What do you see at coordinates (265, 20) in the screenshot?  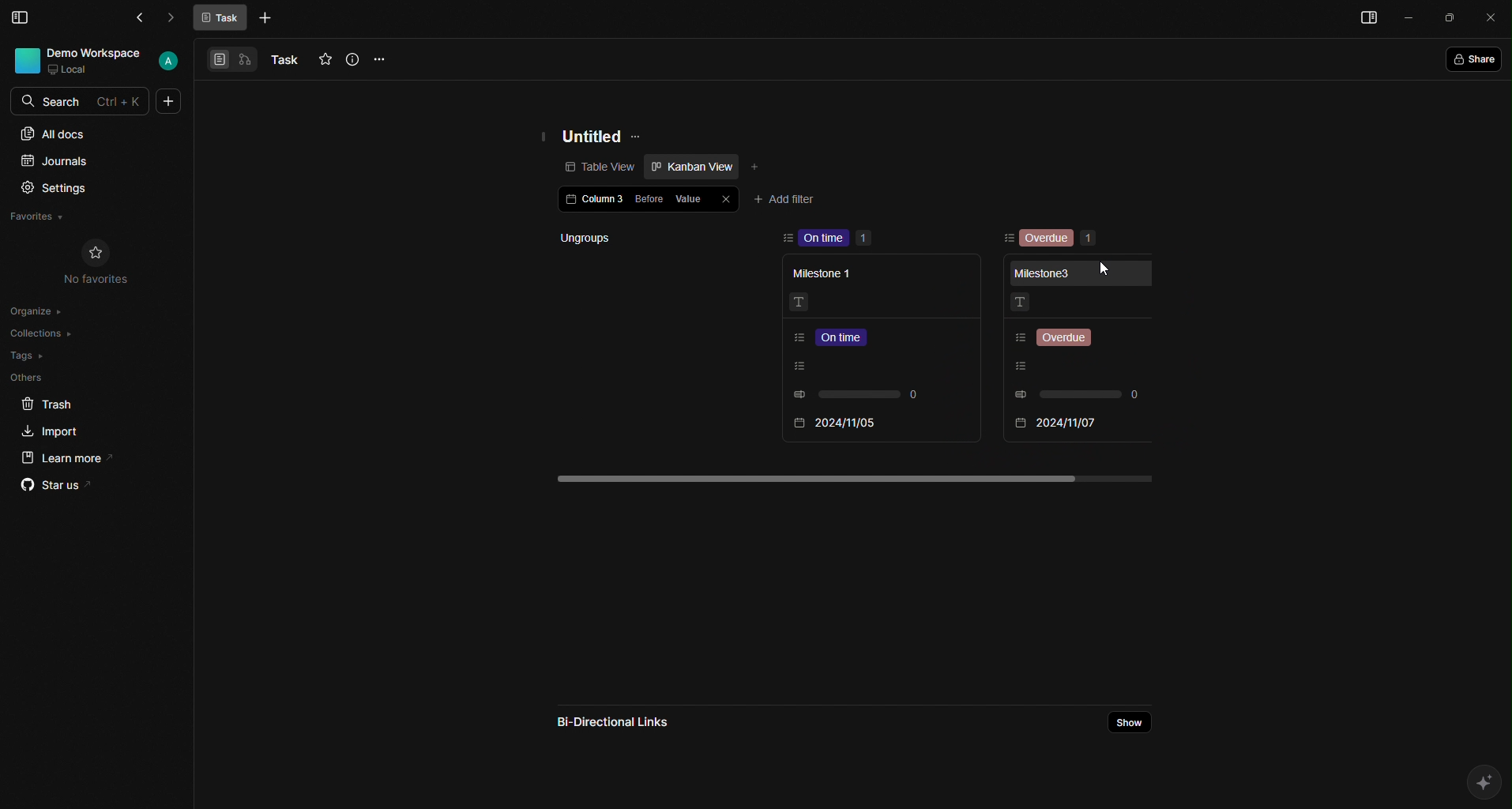 I see `More` at bounding box center [265, 20].